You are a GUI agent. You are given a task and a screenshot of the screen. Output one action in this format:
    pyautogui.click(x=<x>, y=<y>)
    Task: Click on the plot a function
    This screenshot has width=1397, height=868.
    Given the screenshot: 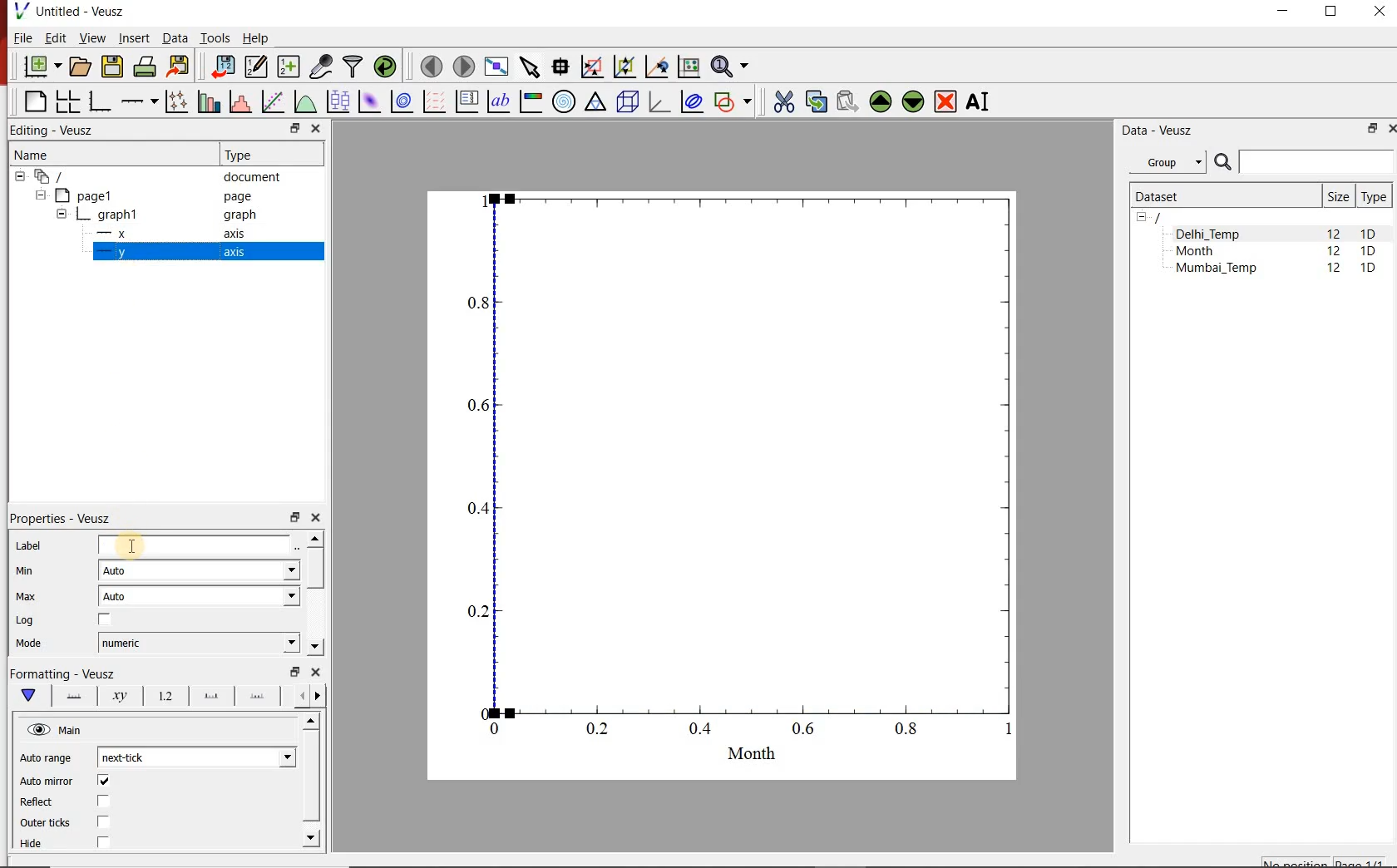 What is the action you would take?
    pyautogui.click(x=305, y=101)
    